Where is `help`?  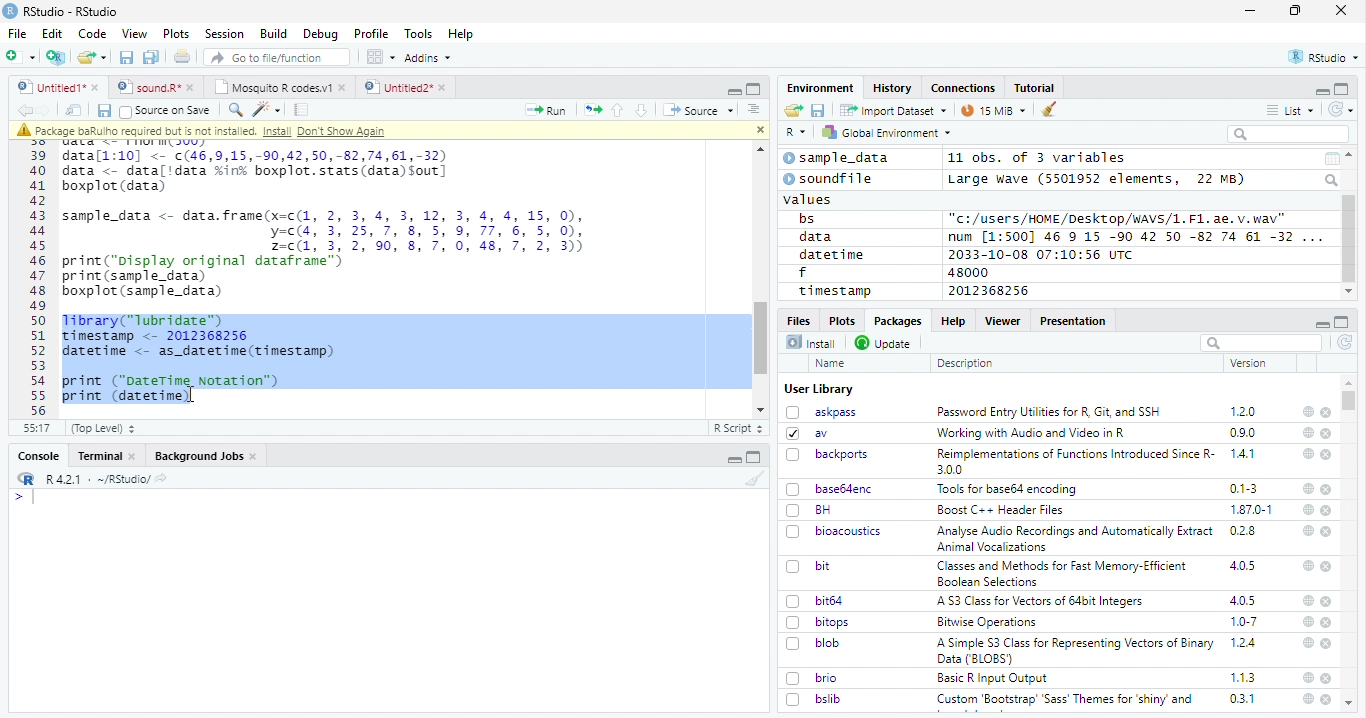 help is located at coordinates (1308, 677).